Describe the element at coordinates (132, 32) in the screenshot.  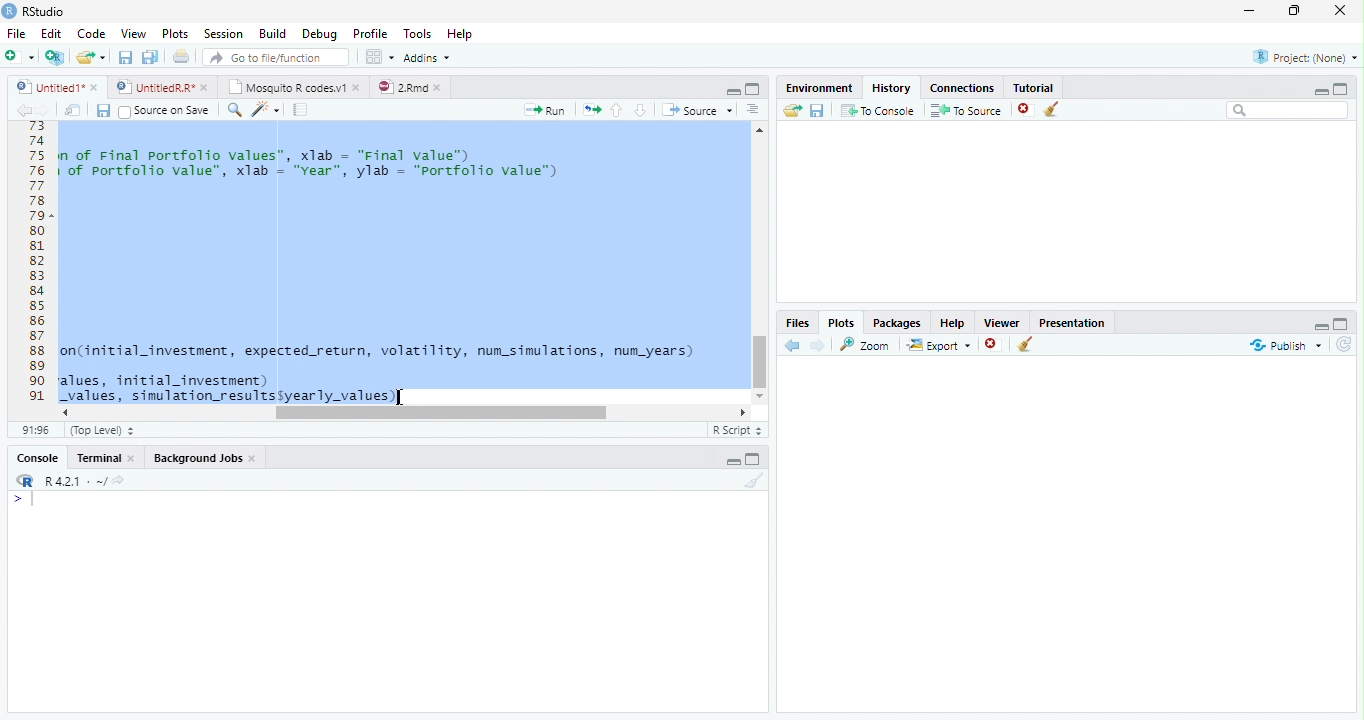
I see `View` at that location.